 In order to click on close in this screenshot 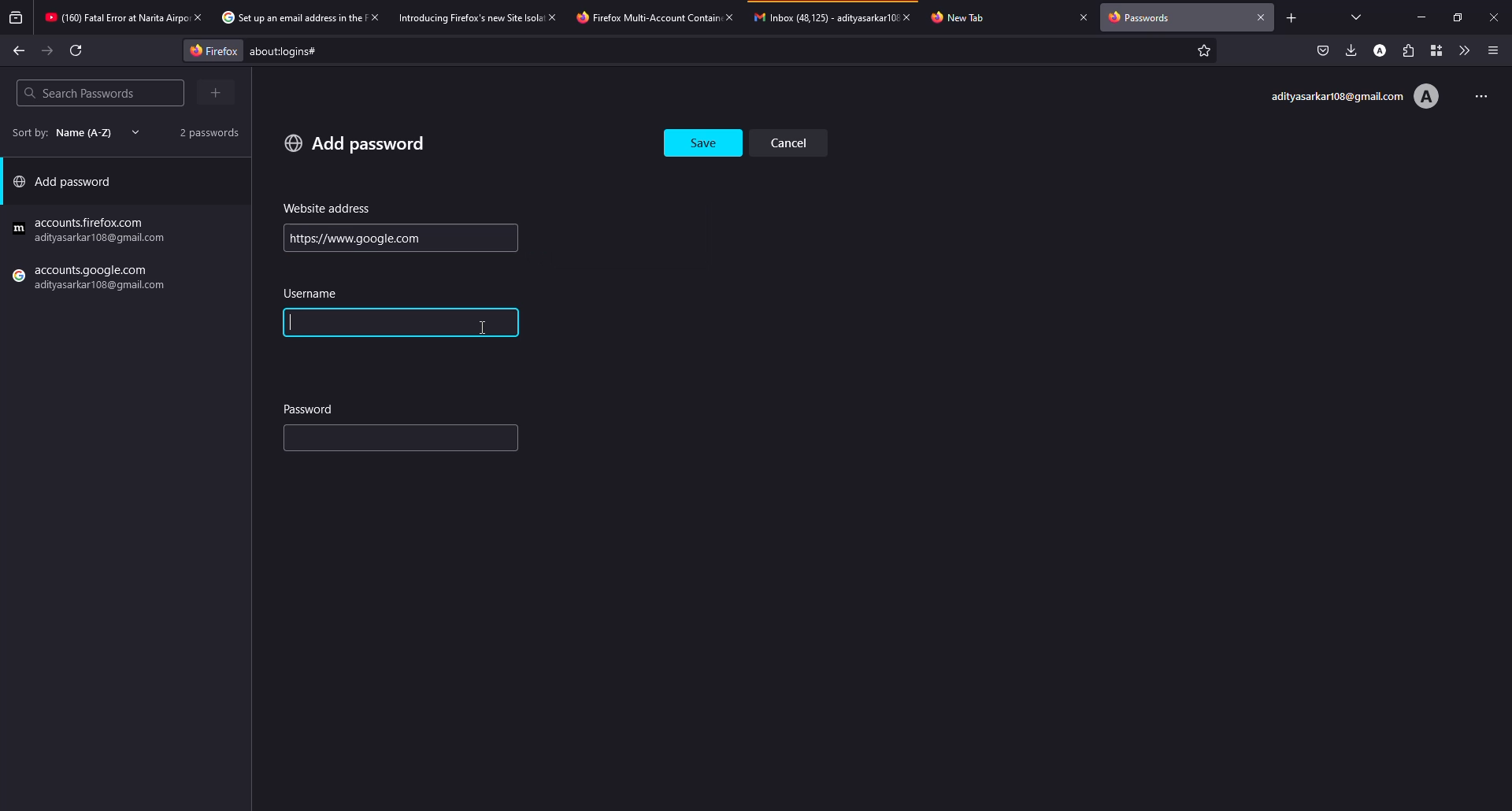, I will do `click(197, 17)`.